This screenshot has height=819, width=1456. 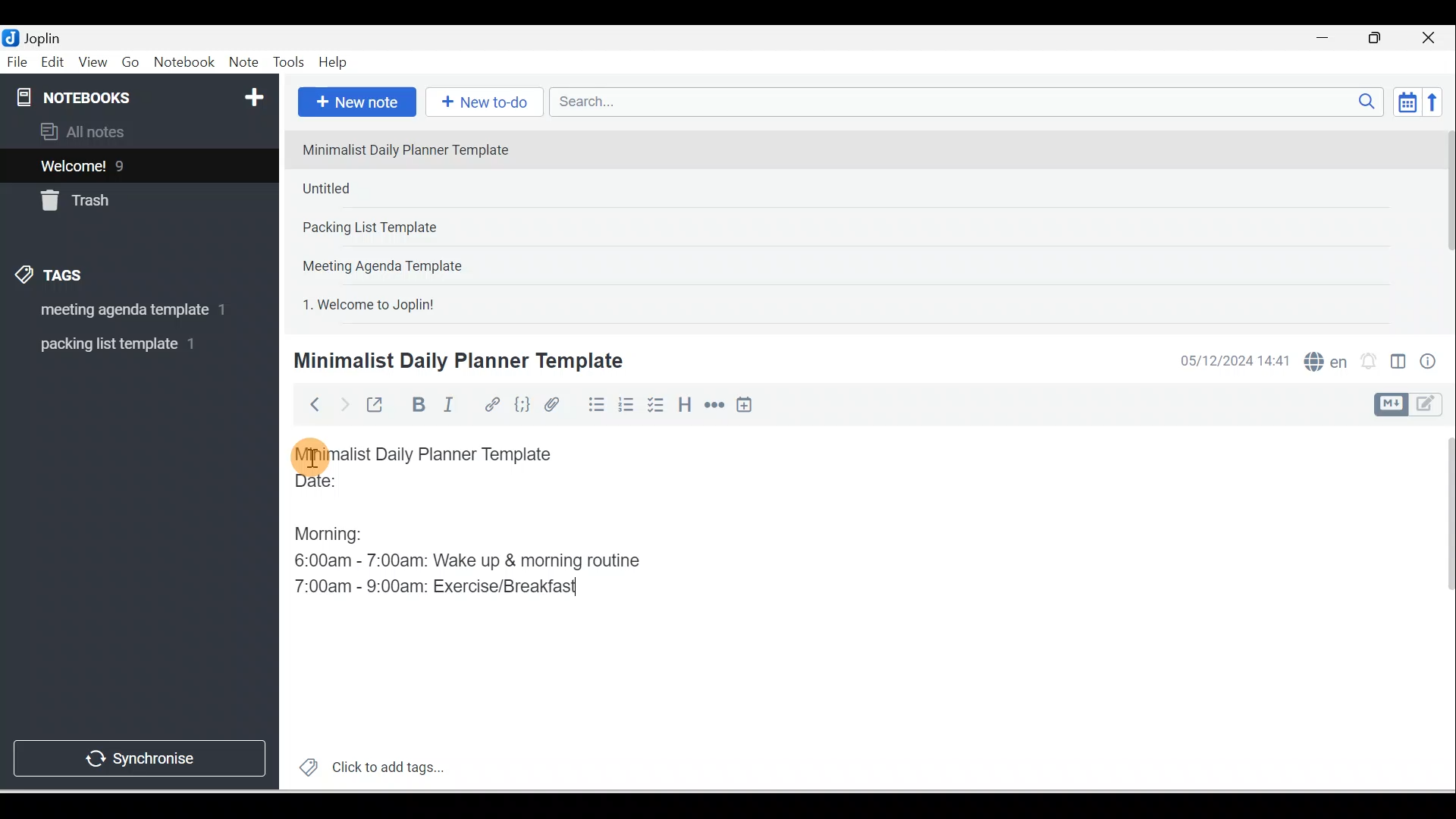 What do you see at coordinates (119, 311) in the screenshot?
I see `Tag 1` at bounding box center [119, 311].